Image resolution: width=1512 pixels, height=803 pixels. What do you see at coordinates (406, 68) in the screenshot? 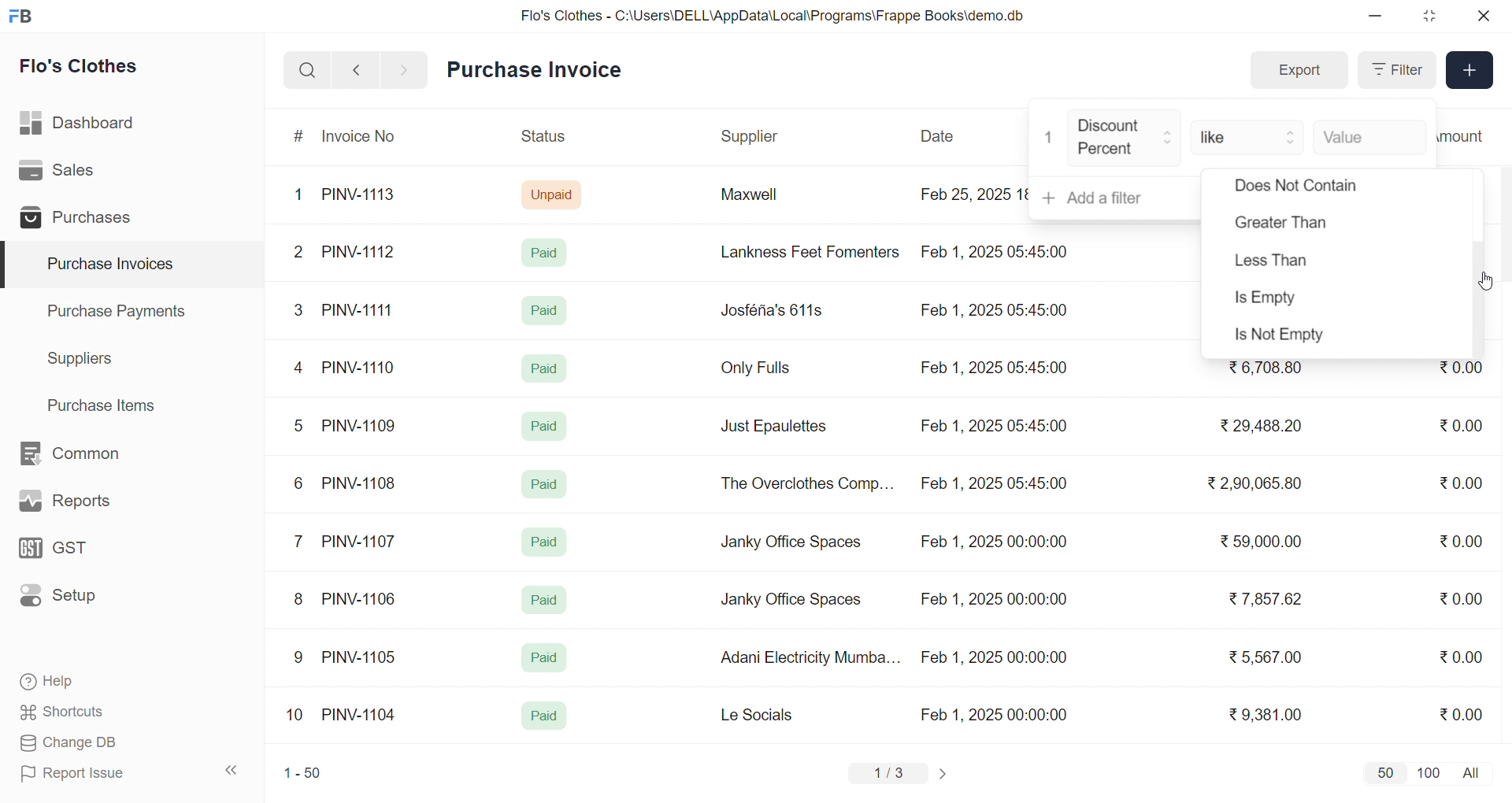
I see `navigate forward` at bounding box center [406, 68].